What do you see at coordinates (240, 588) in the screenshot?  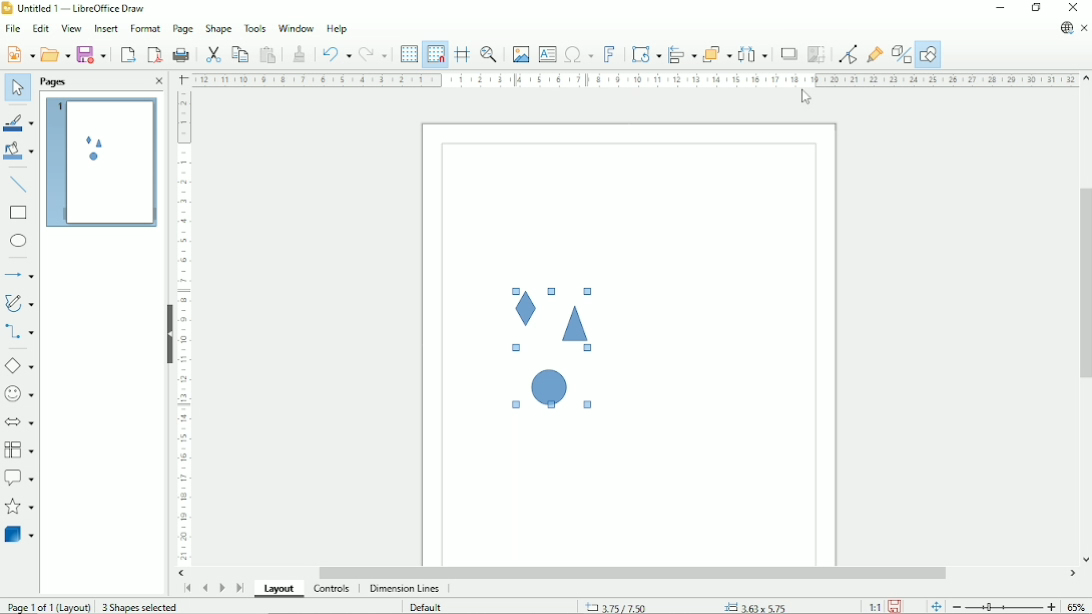 I see `Scroll to last page` at bounding box center [240, 588].